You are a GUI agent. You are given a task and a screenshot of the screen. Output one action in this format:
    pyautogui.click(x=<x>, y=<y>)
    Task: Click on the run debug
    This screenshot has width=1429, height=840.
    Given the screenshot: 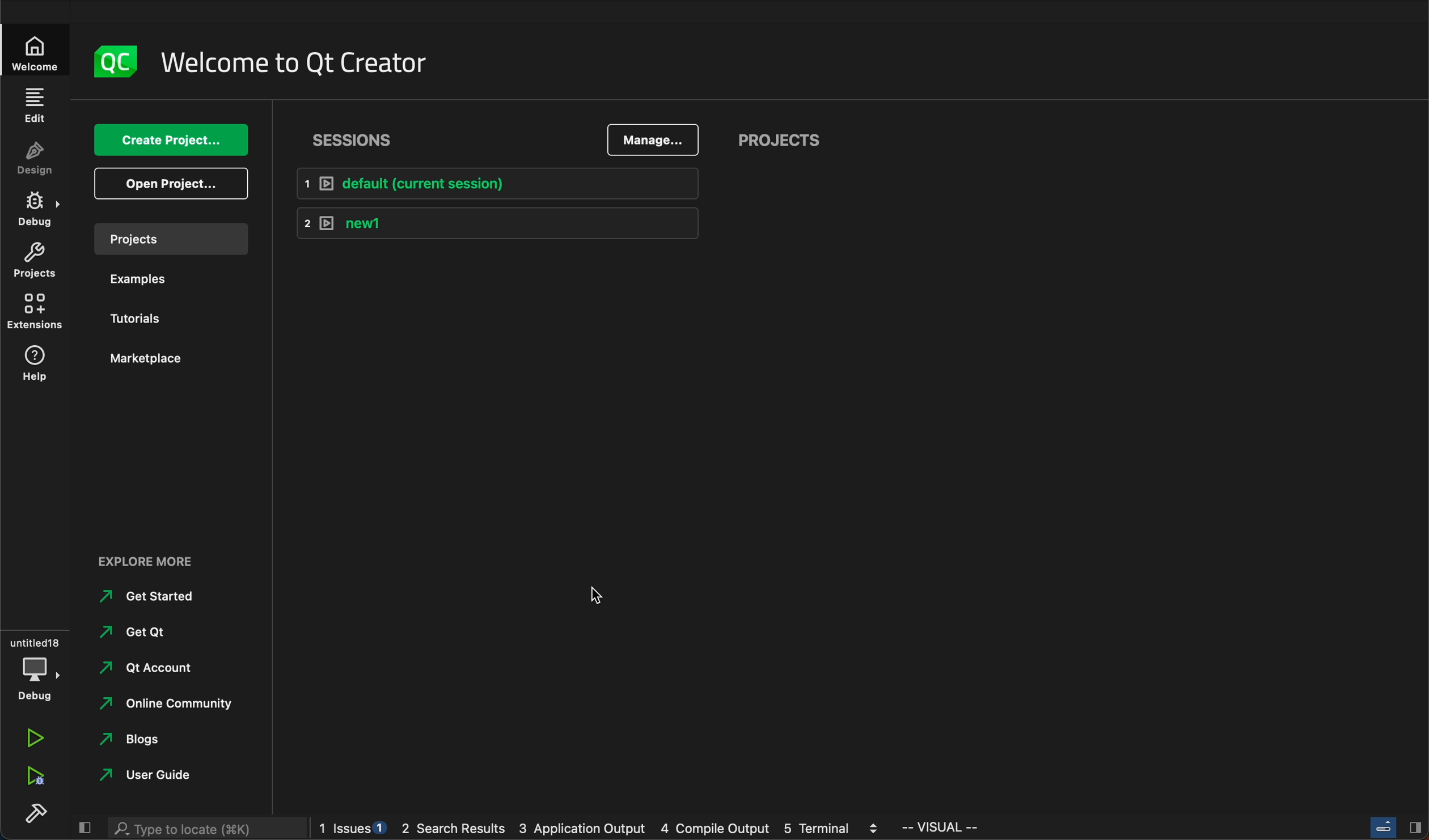 What is the action you would take?
    pyautogui.click(x=34, y=773)
    